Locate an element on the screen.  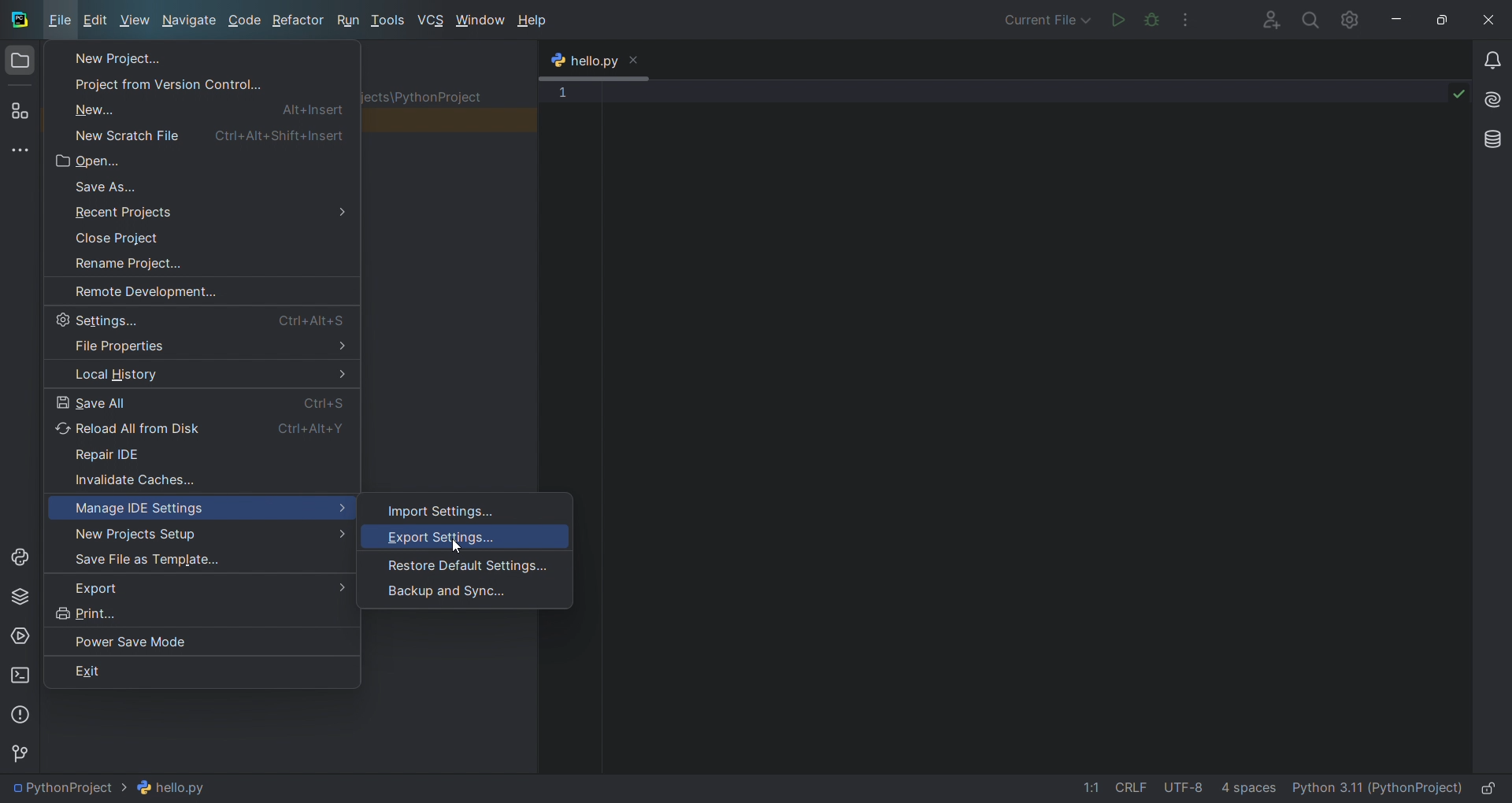
new file is located at coordinates (199, 132).